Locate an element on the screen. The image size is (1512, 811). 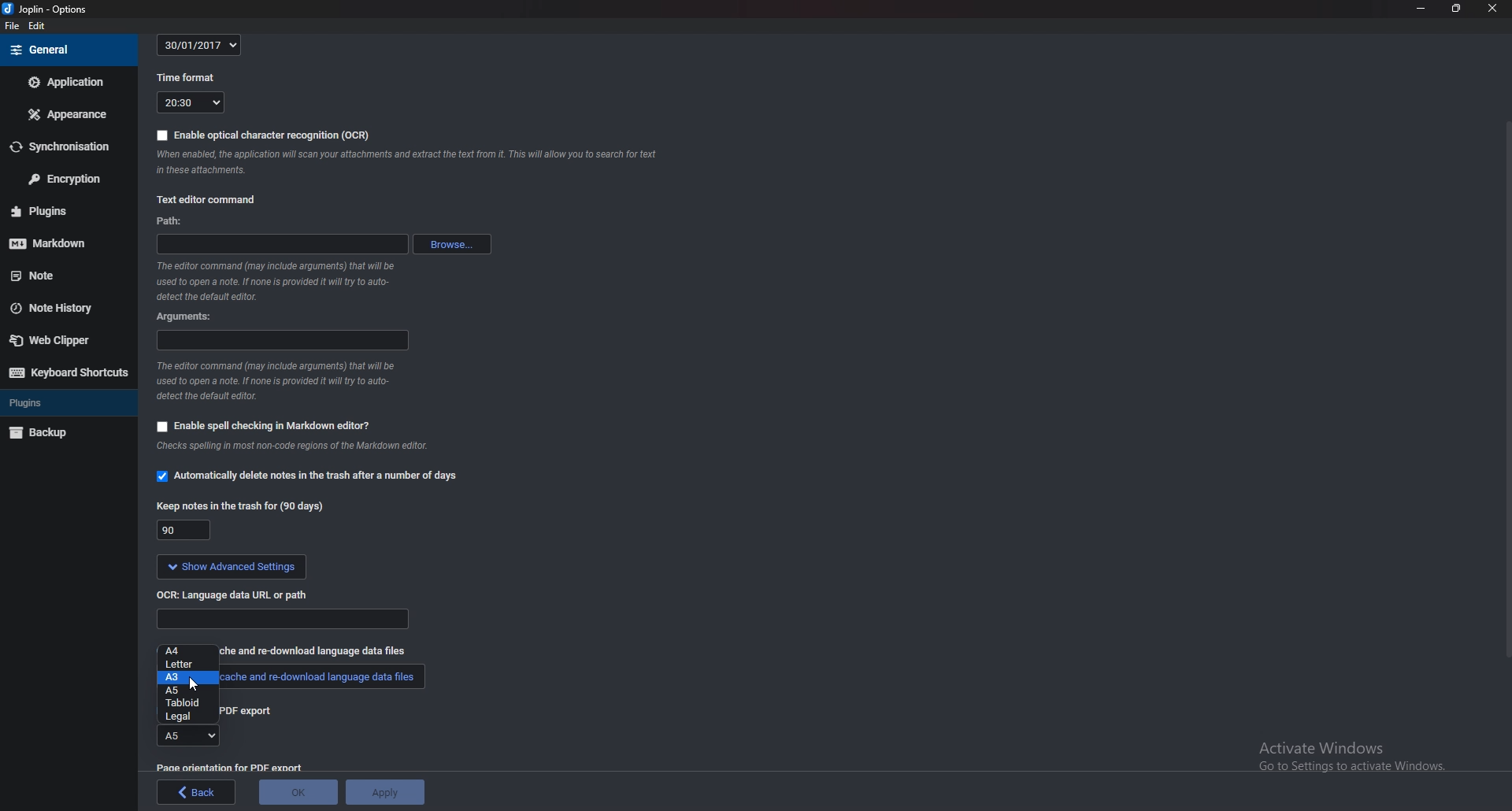
pdf export is located at coordinates (251, 712).